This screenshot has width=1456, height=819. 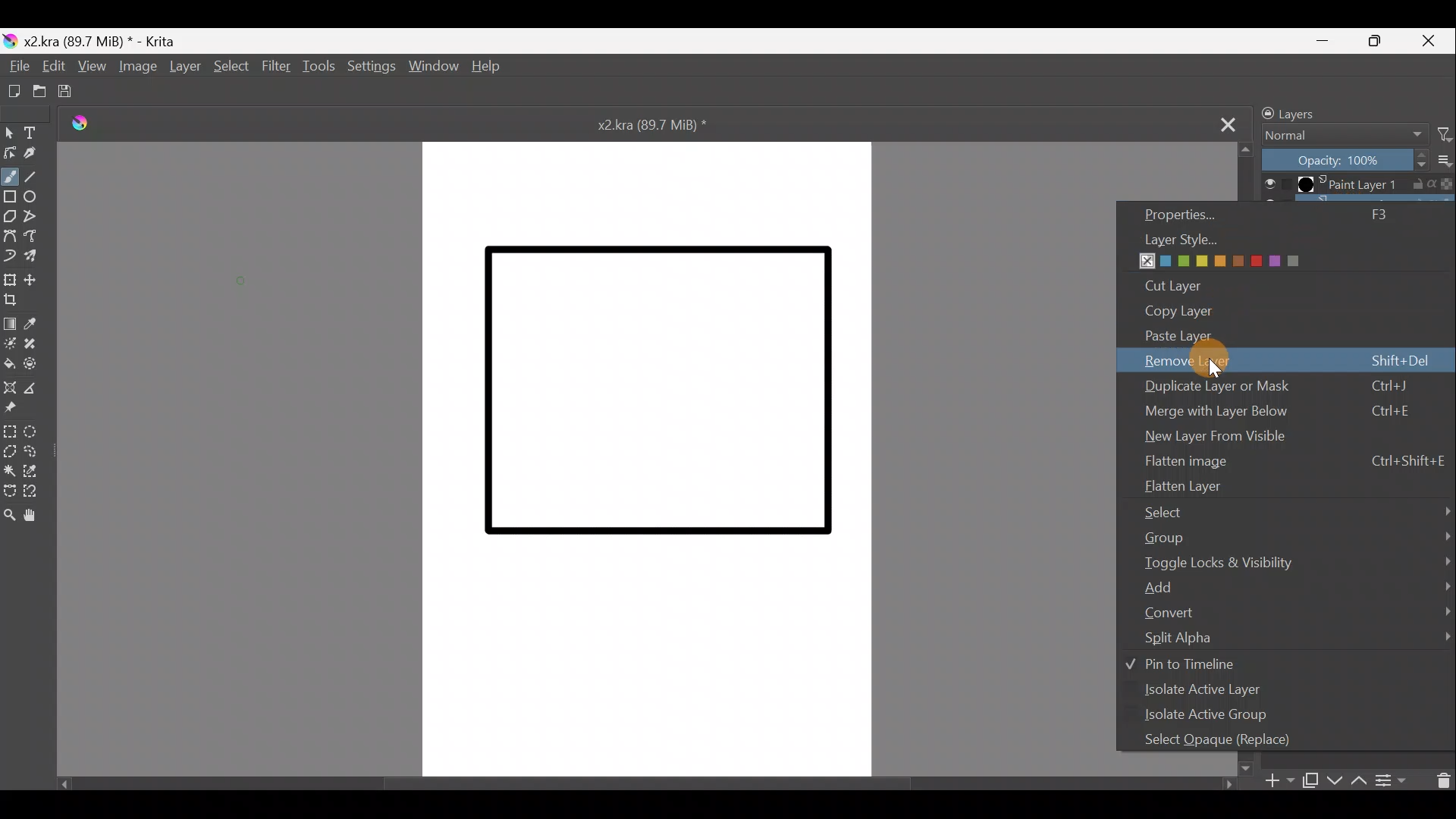 I want to click on Normal Blending mode, so click(x=1341, y=133).